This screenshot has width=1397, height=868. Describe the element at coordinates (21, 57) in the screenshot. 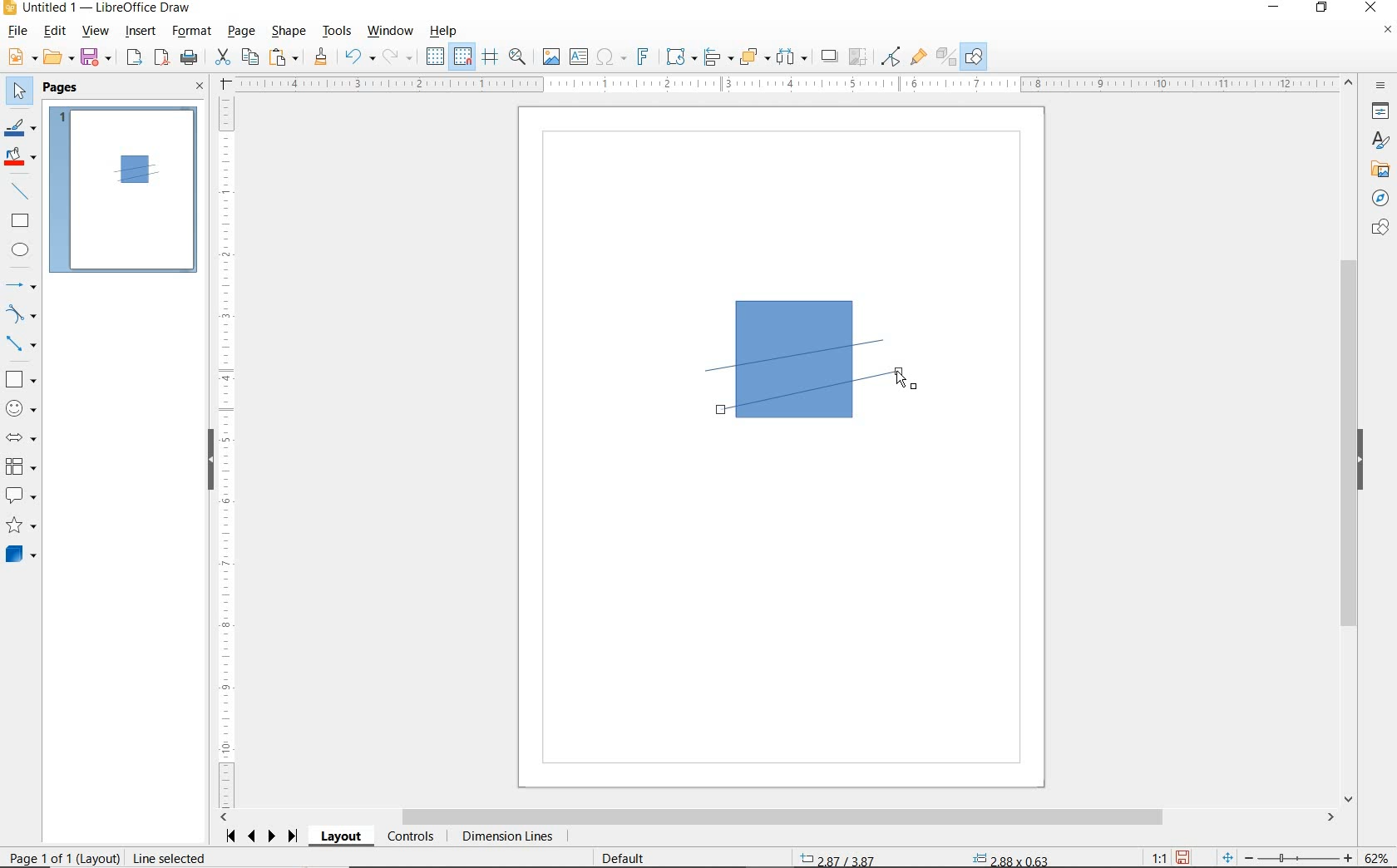

I see `NEW` at that location.